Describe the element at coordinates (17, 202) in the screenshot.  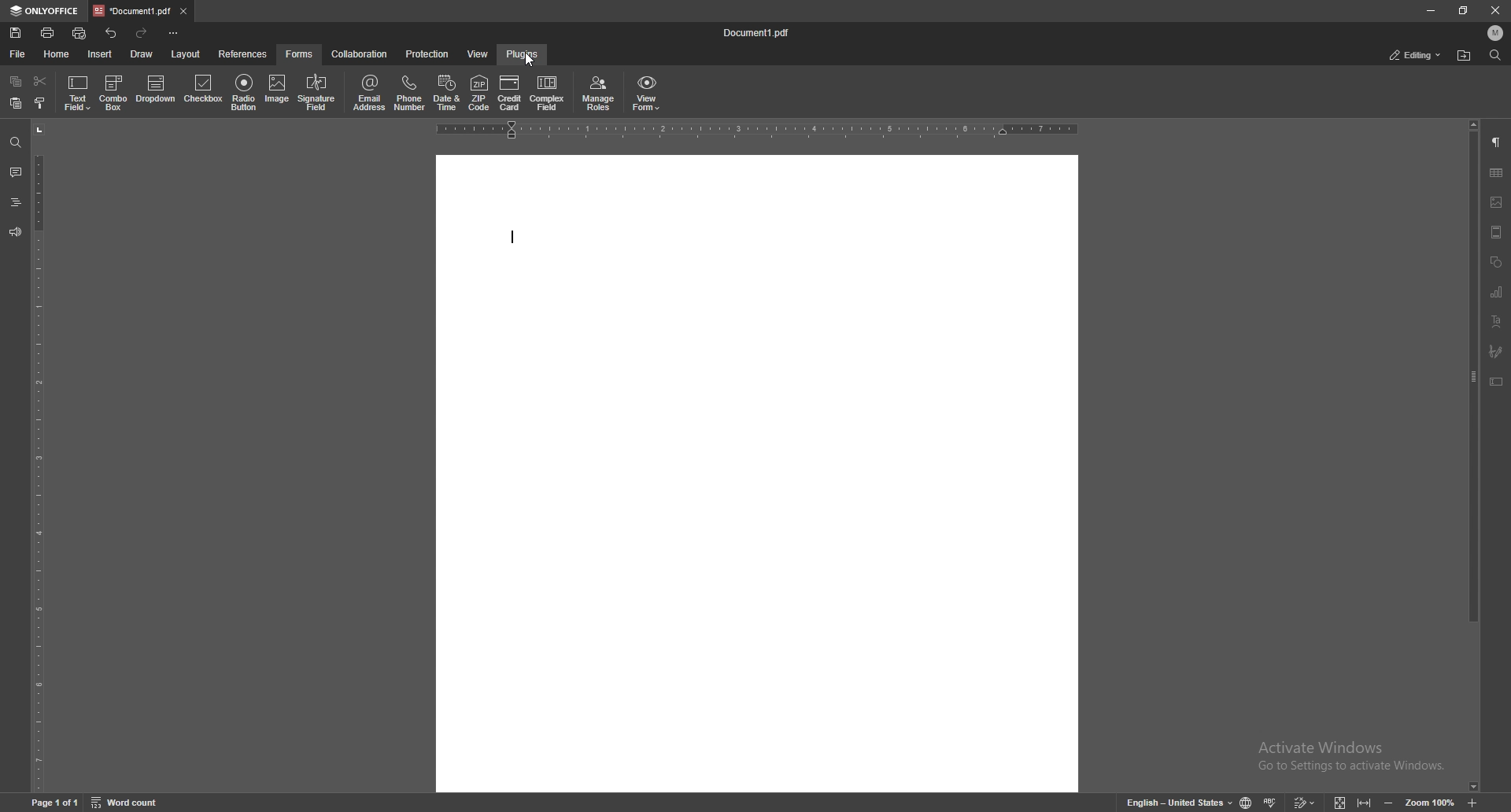
I see `heading` at that location.